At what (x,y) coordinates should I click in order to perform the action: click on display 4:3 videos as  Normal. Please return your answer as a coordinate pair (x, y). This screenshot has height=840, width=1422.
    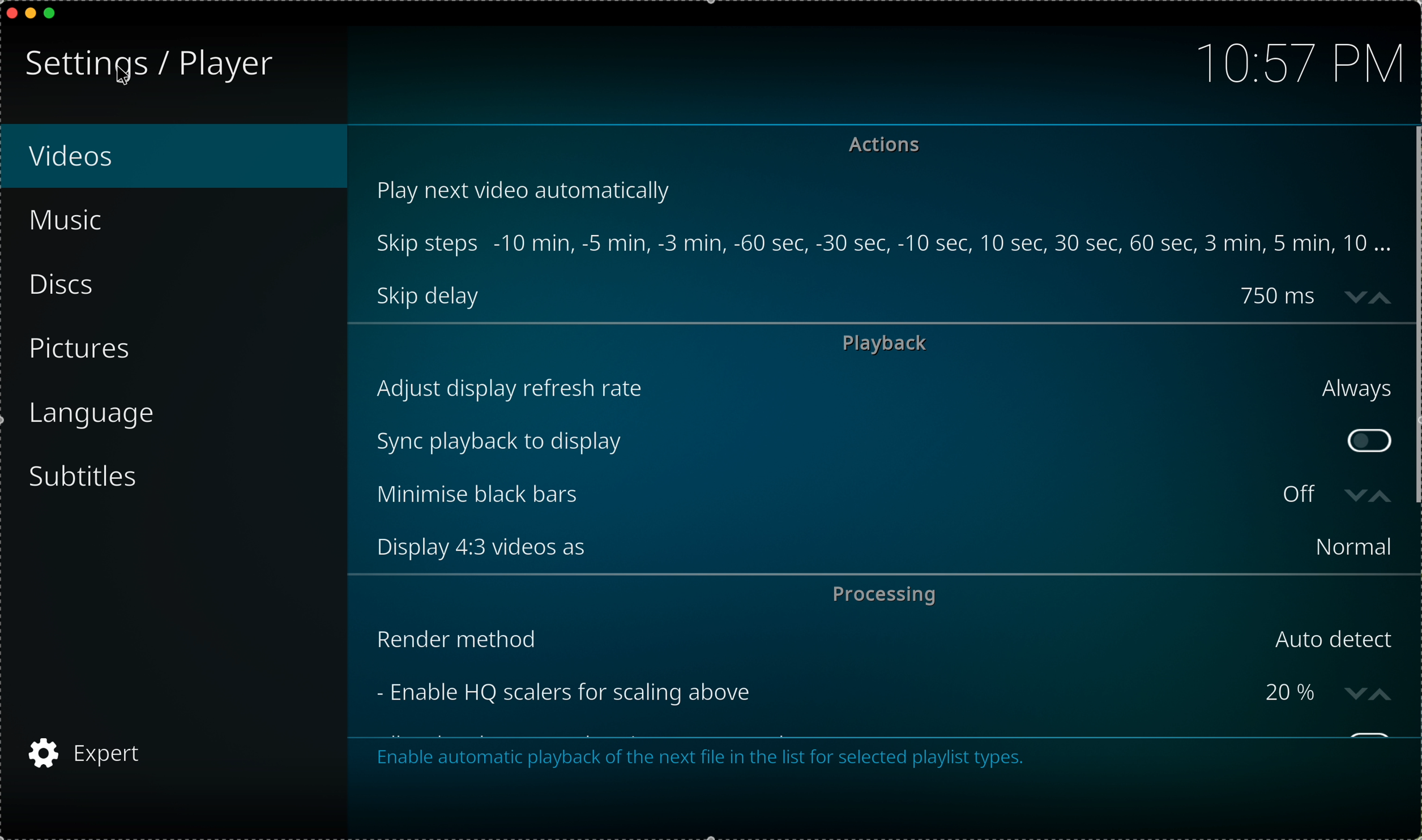
    Looking at the image, I should click on (890, 547).